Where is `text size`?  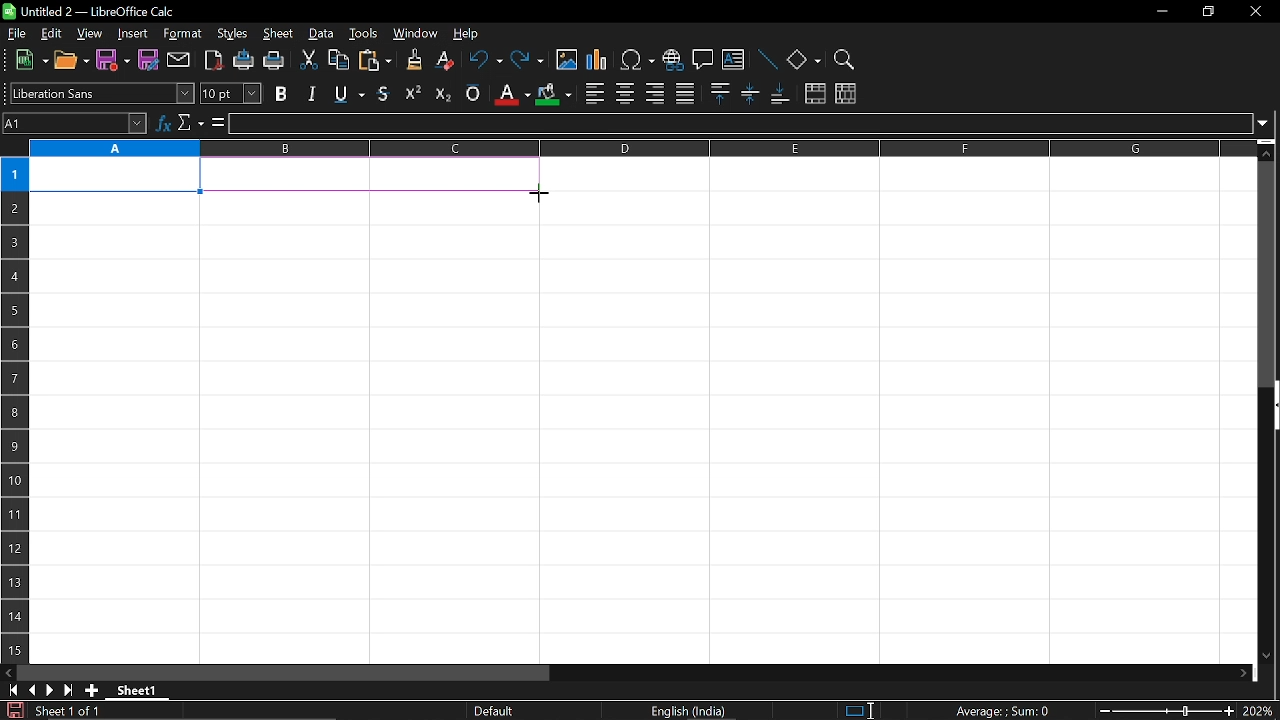 text size is located at coordinates (231, 93).